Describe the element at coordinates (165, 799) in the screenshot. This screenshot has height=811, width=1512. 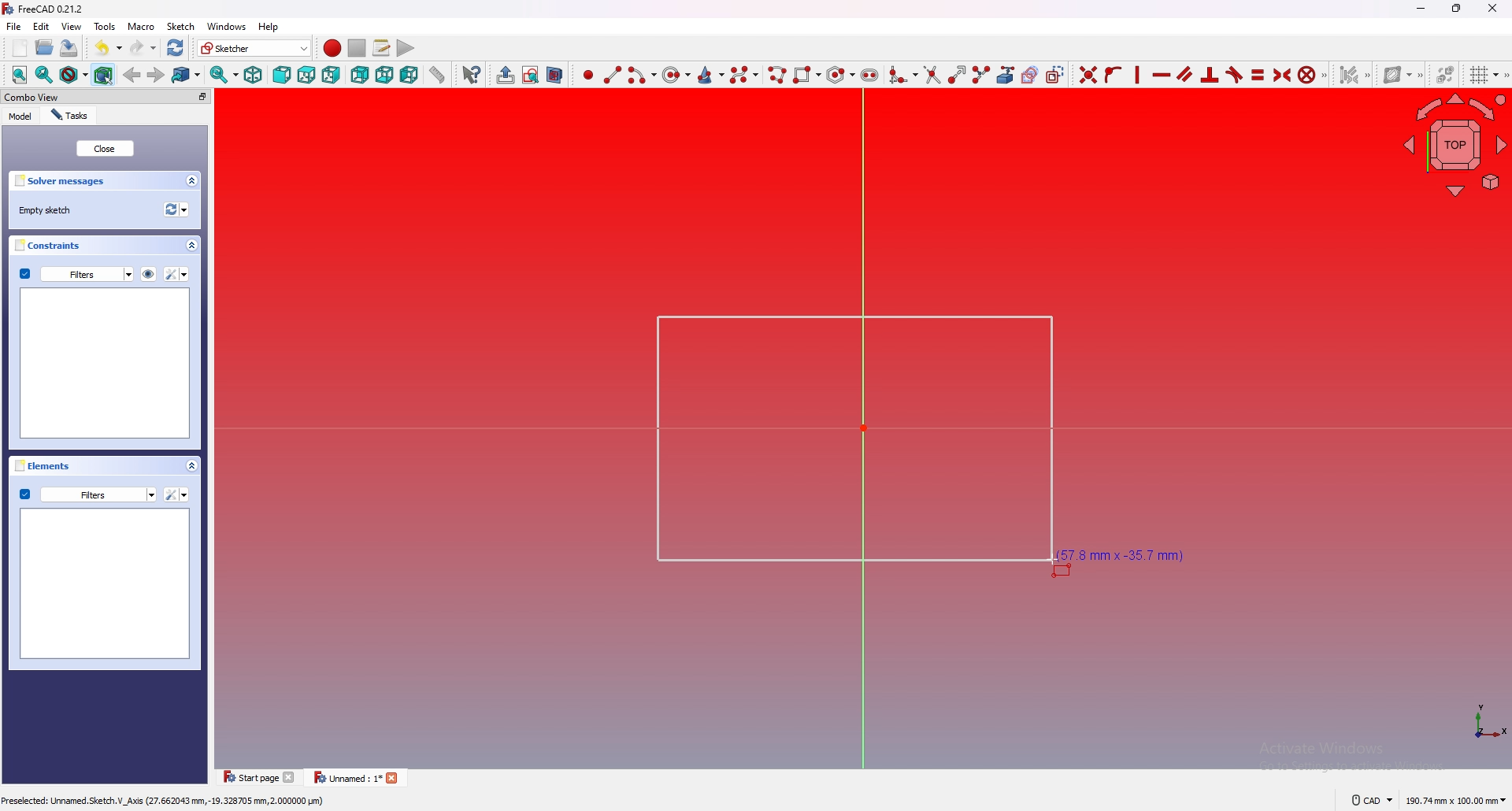
I see `description` at that location.